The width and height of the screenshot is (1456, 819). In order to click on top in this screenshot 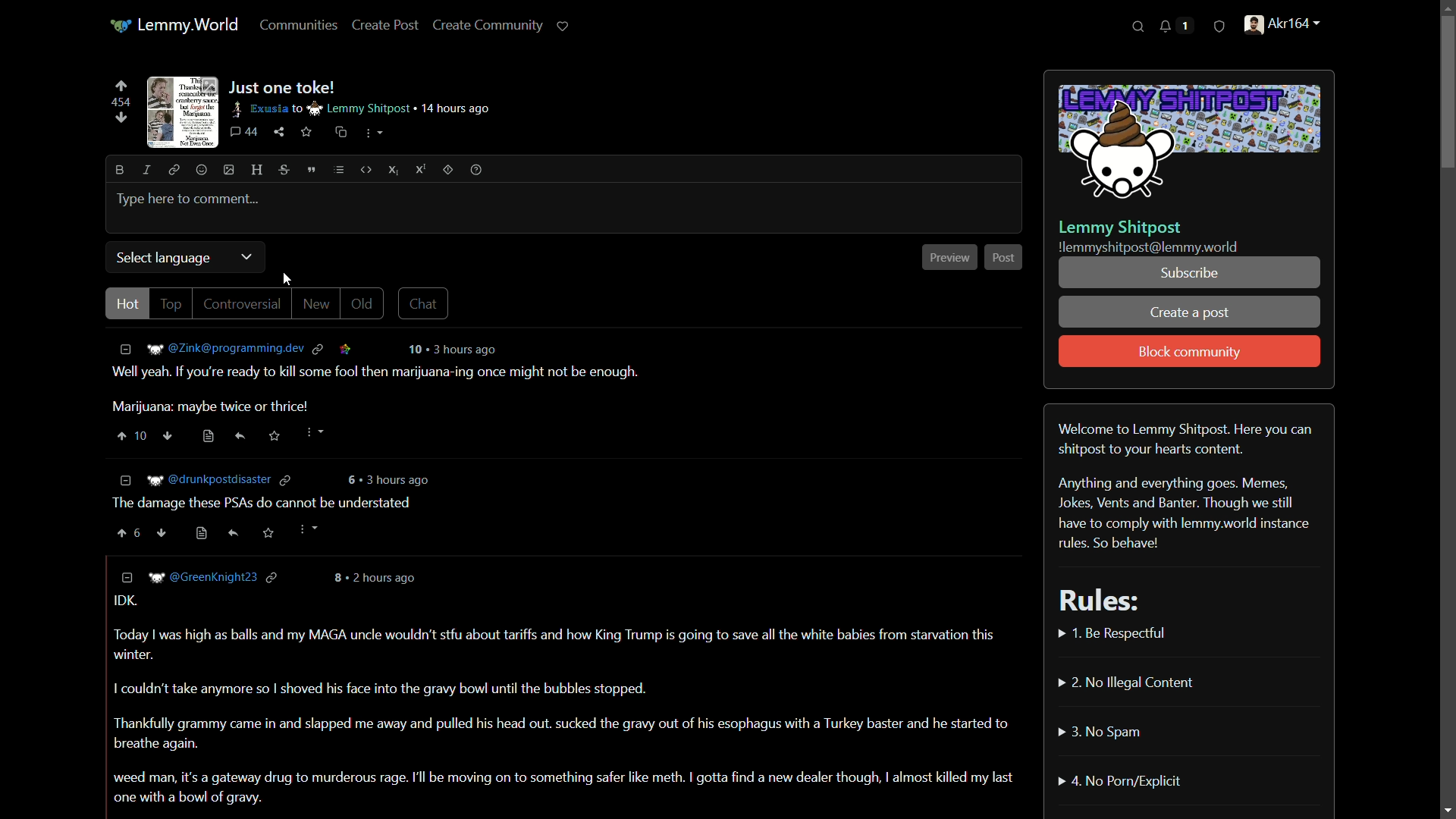, I will do `click(171, 305)`.